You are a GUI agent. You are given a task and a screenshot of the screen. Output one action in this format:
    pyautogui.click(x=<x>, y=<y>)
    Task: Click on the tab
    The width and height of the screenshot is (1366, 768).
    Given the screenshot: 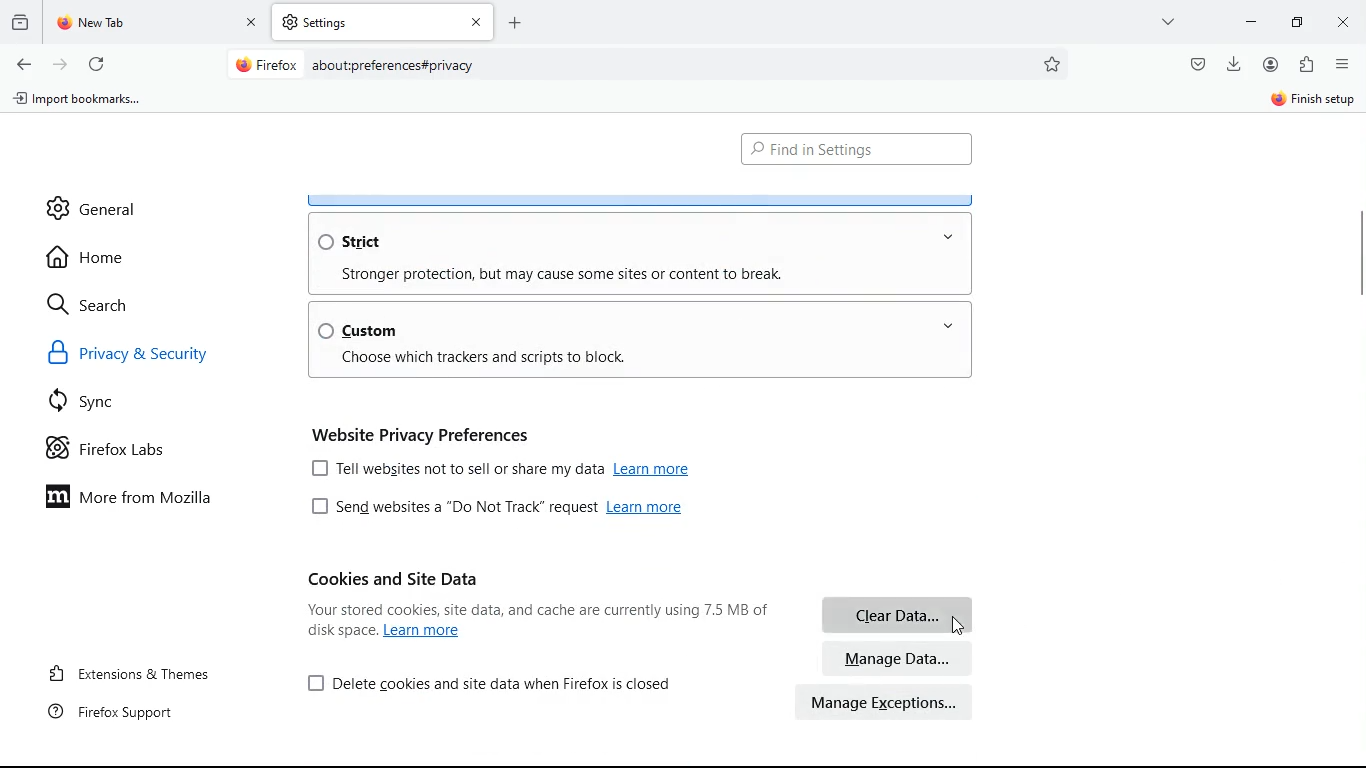 What is the action you would take?
    pyautogui.click(x=158, y=23)
    